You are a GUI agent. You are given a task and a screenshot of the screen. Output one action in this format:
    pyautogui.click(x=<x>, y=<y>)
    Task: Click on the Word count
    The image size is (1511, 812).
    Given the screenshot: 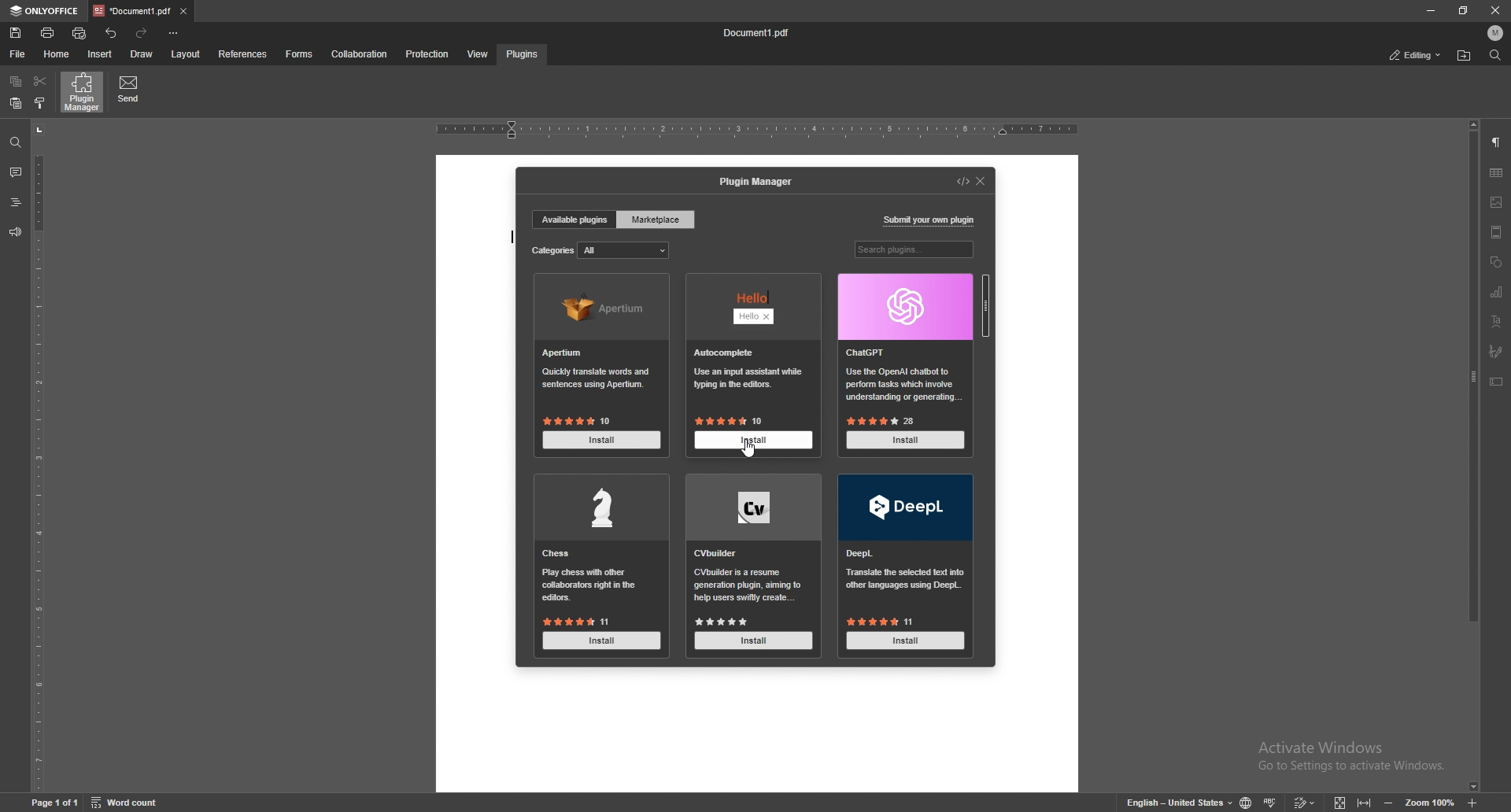 What is the action you would take?
    pyautogui.click(x=131, y=802)
    